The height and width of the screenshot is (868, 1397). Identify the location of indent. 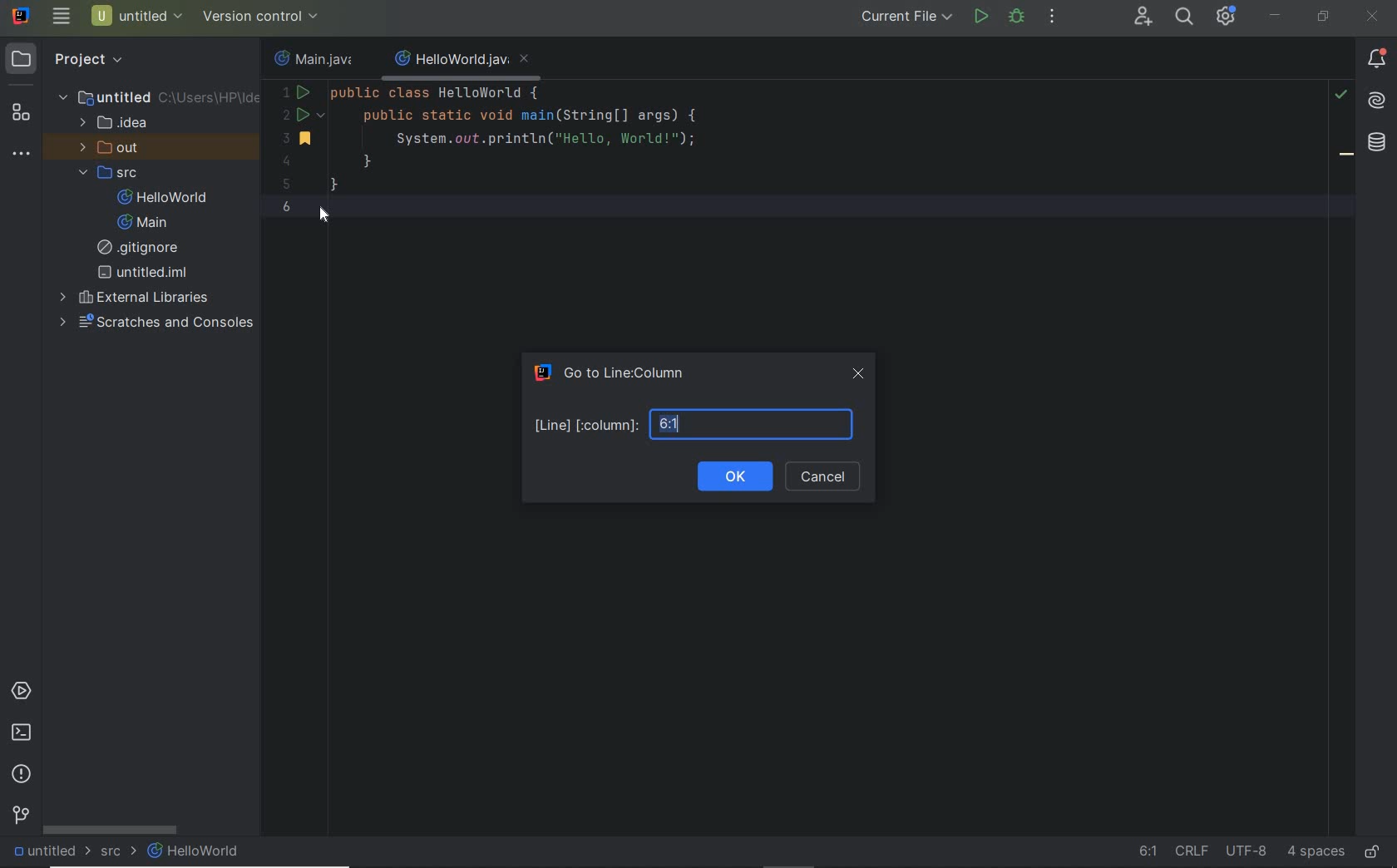
(1316, 854).